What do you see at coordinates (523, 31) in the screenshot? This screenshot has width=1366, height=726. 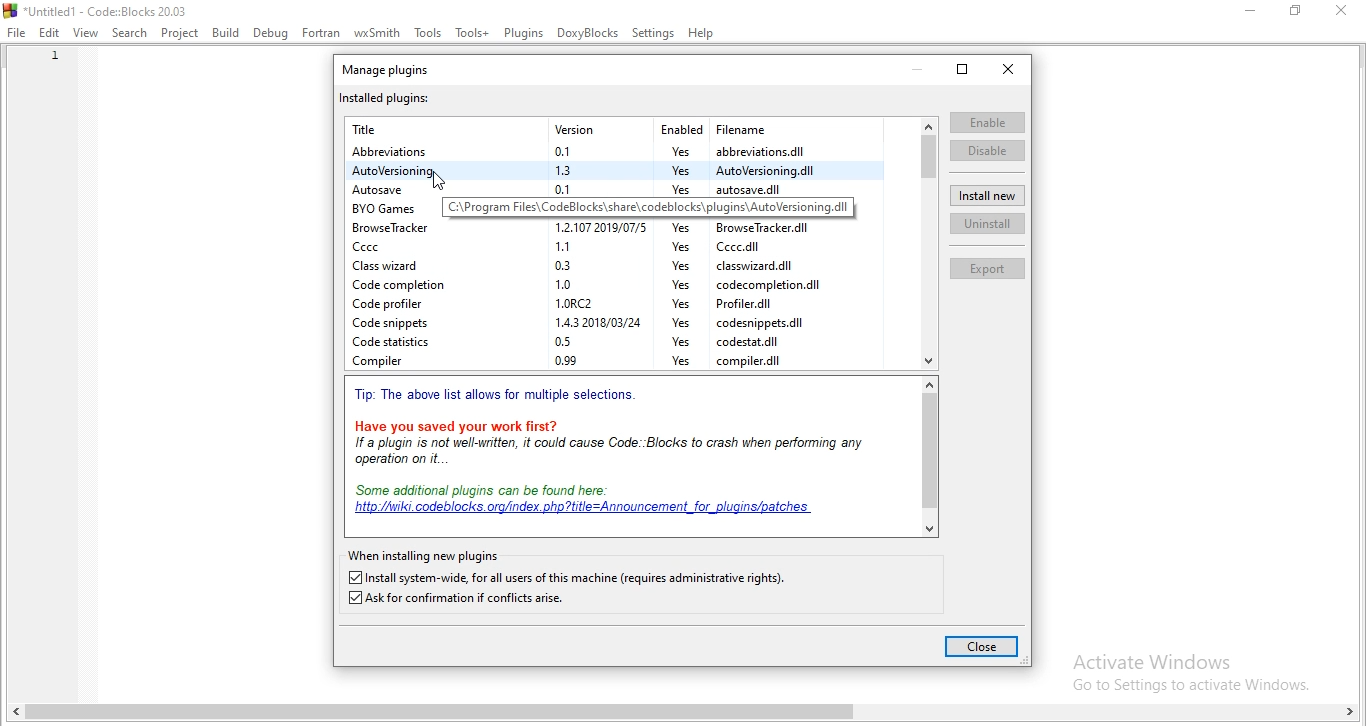 I see `Plugins` at bounding box center [523, 31].